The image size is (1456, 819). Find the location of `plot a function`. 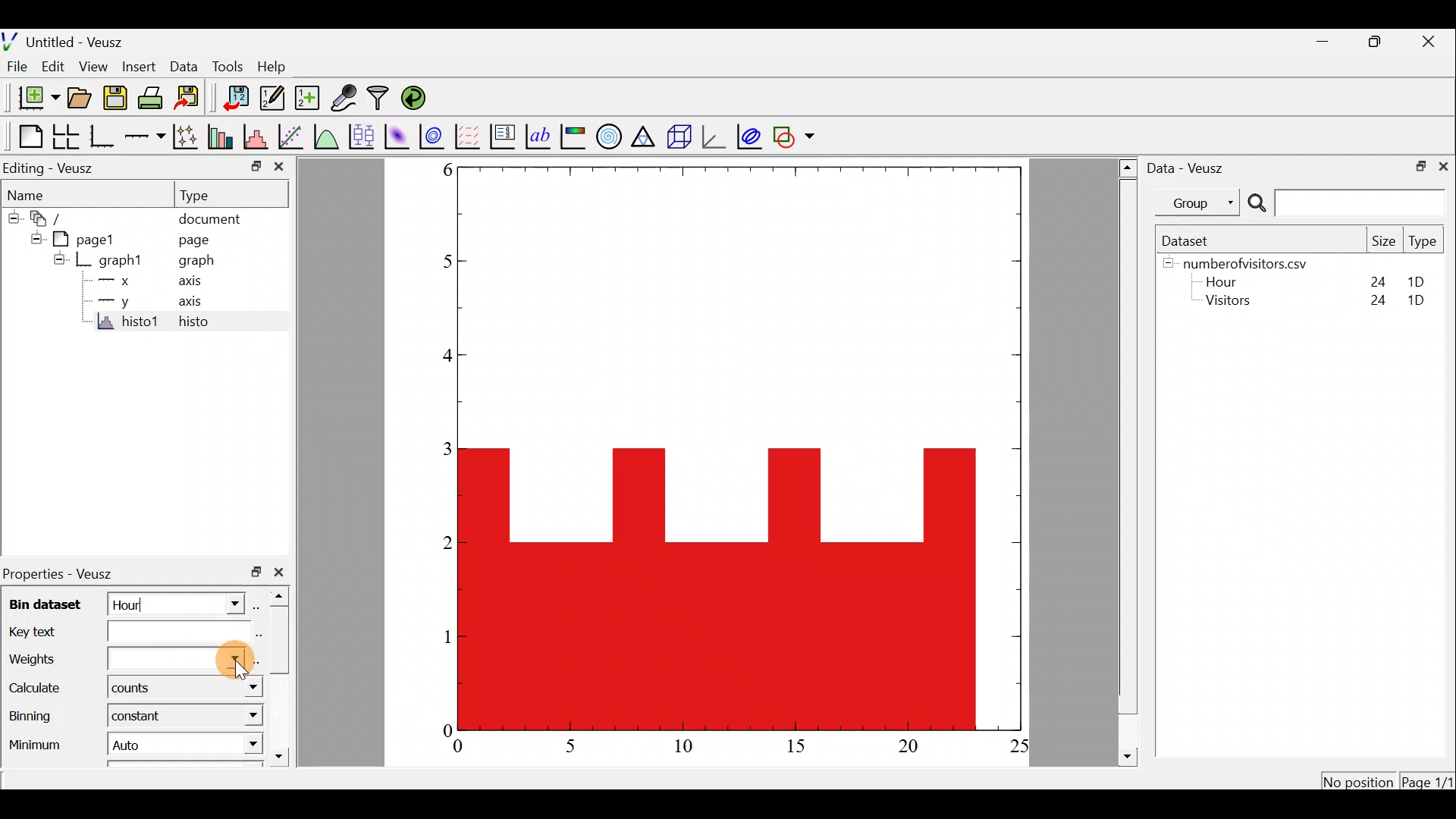

plot a function is located at coordinates (328, 136).